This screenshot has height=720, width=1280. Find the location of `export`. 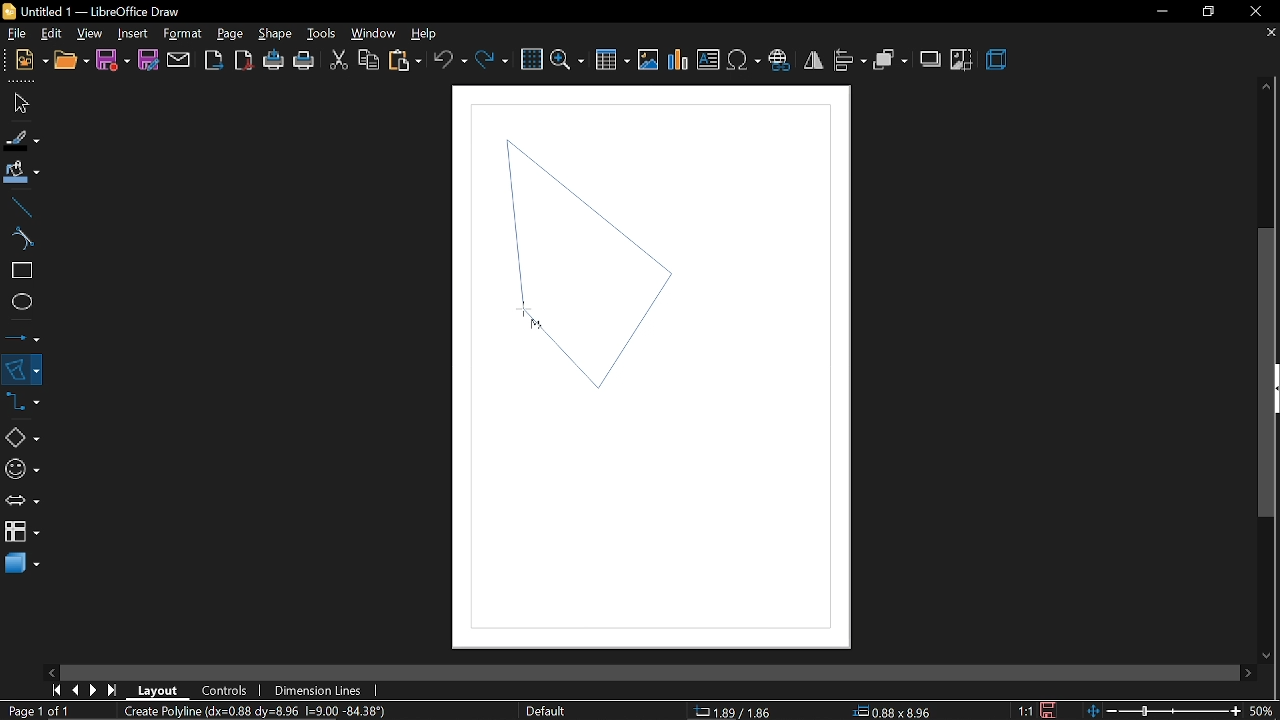

export is located at coordinates (213, 59).